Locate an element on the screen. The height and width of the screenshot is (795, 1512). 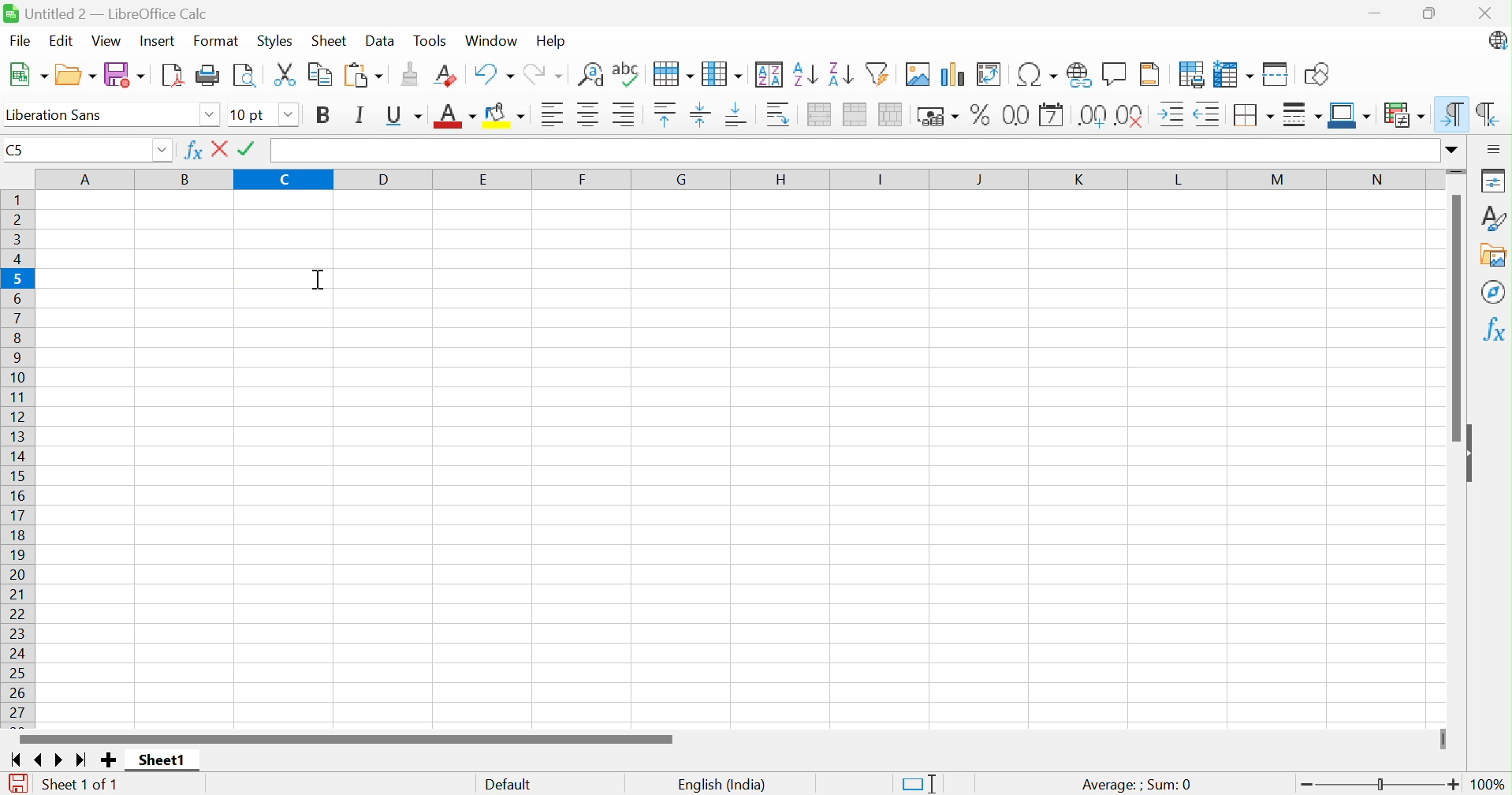
Scroll bar is located at coordinates (1456, 319).